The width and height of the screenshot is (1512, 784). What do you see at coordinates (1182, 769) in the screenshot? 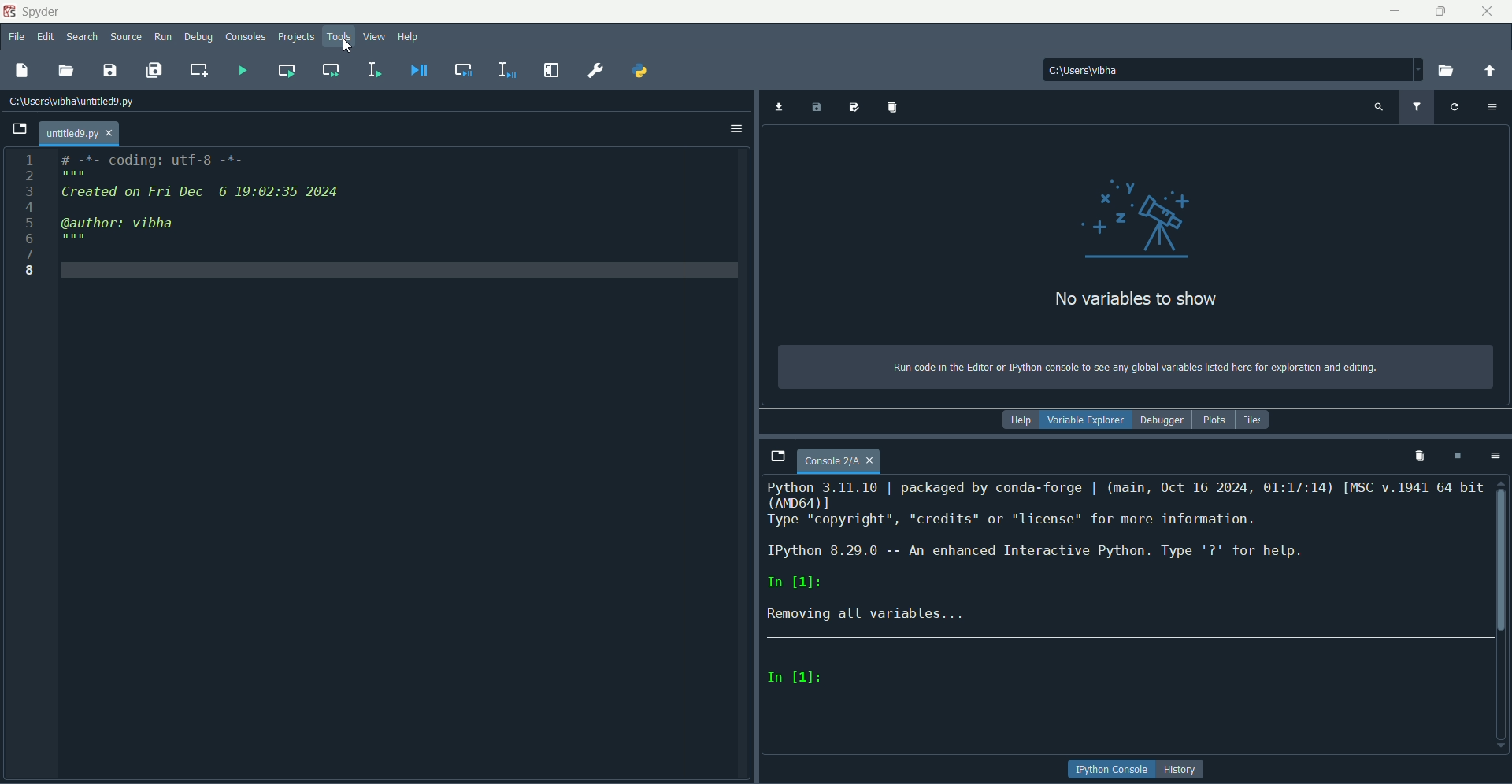
I see `button` at bounding box center [1182, 769].